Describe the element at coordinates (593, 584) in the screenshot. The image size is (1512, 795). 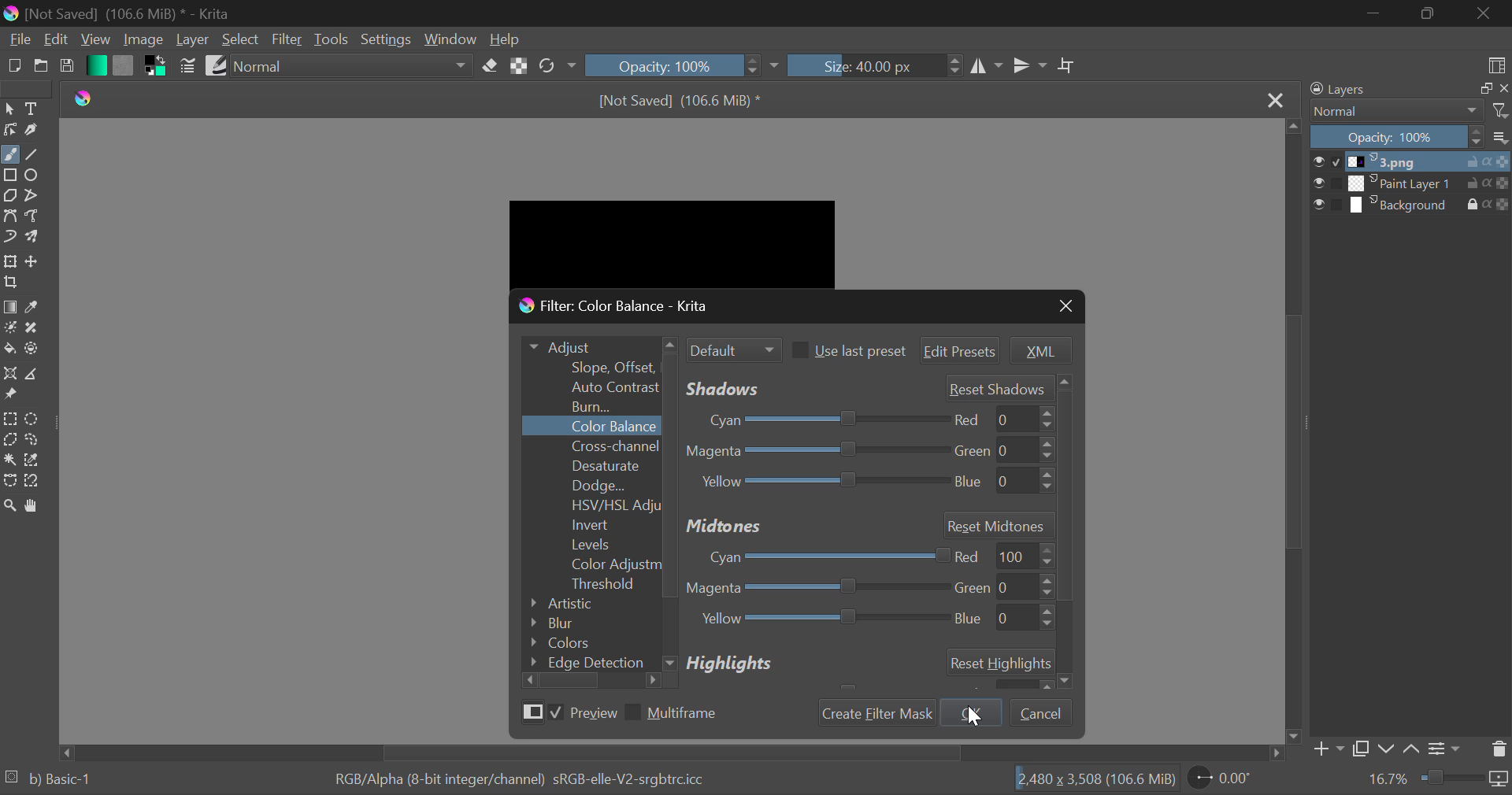
I see `Threshold` at that location.